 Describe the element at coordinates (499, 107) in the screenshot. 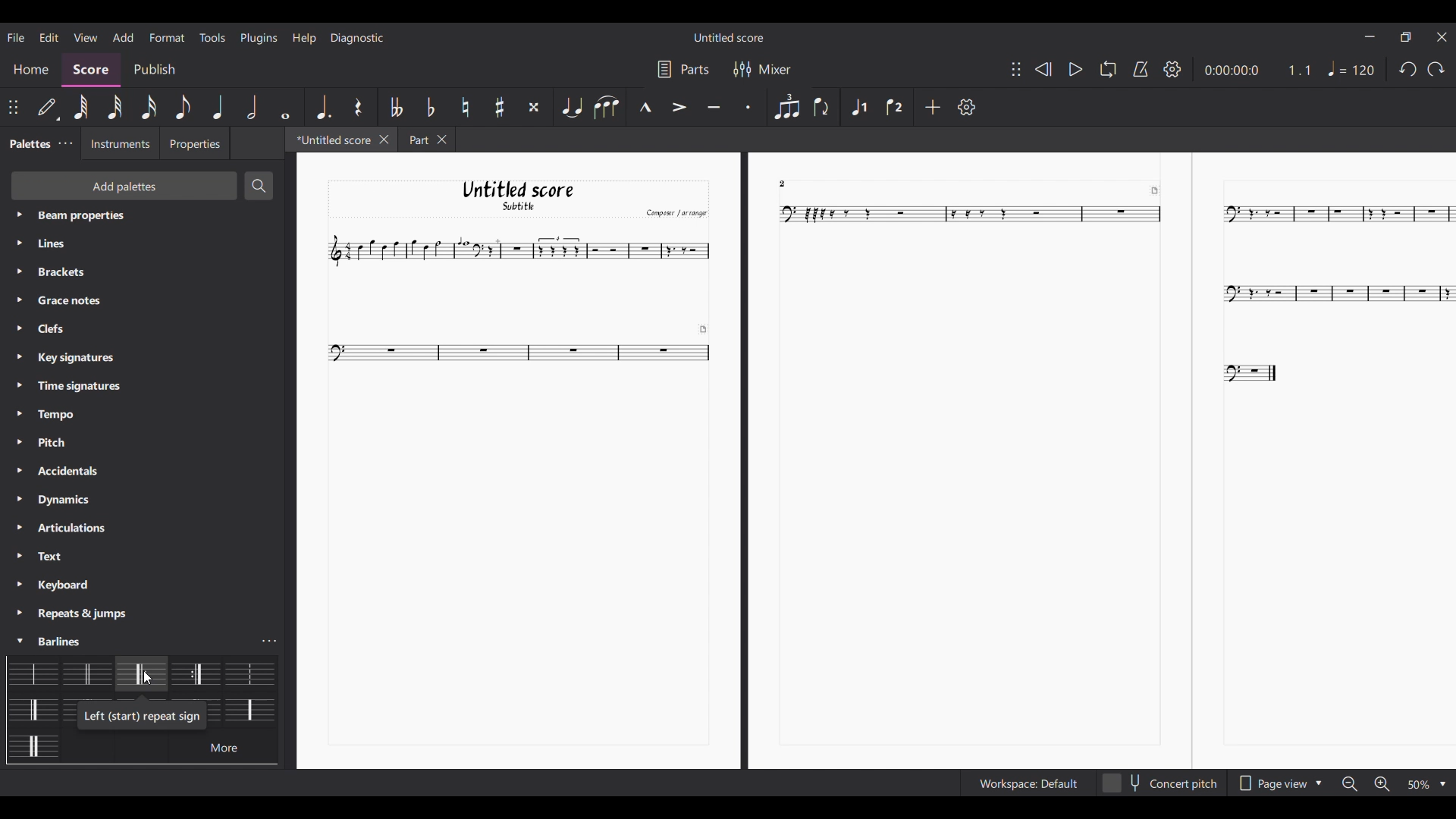

I see `Toggle sharp` at that location.